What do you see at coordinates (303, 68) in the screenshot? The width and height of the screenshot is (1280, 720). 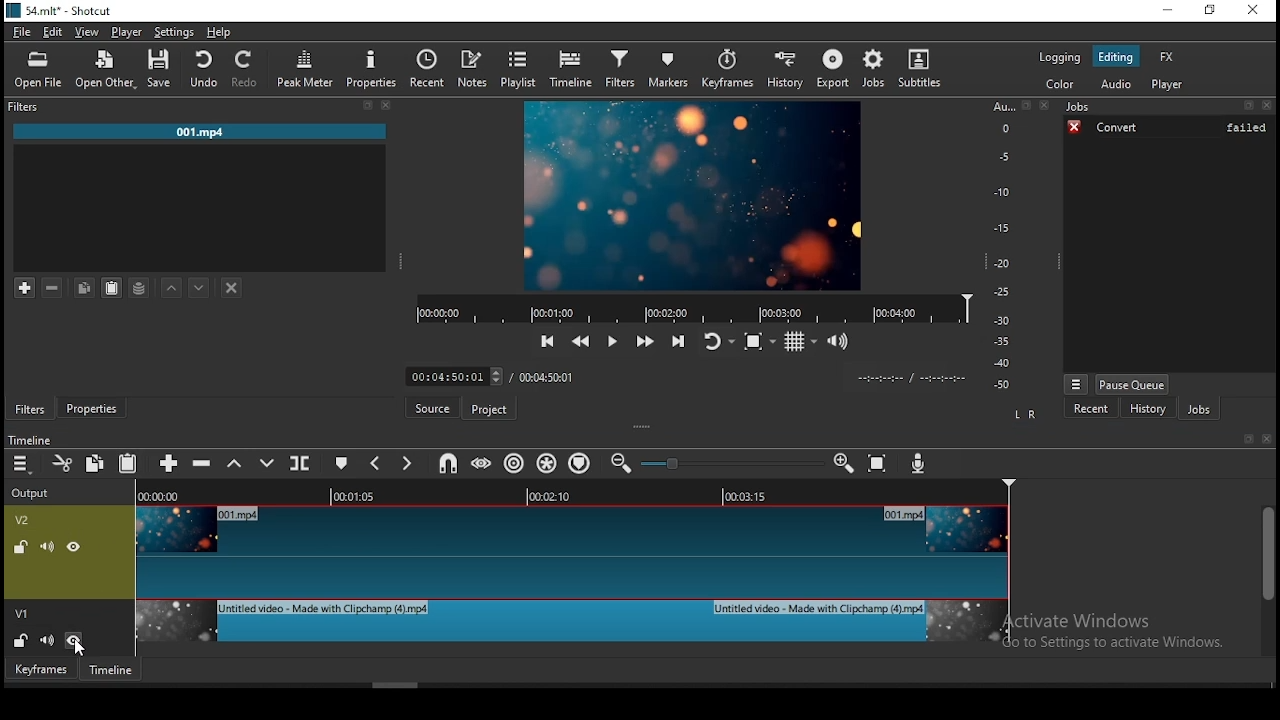 I see `peak meter` at bounding box center [303, 68].